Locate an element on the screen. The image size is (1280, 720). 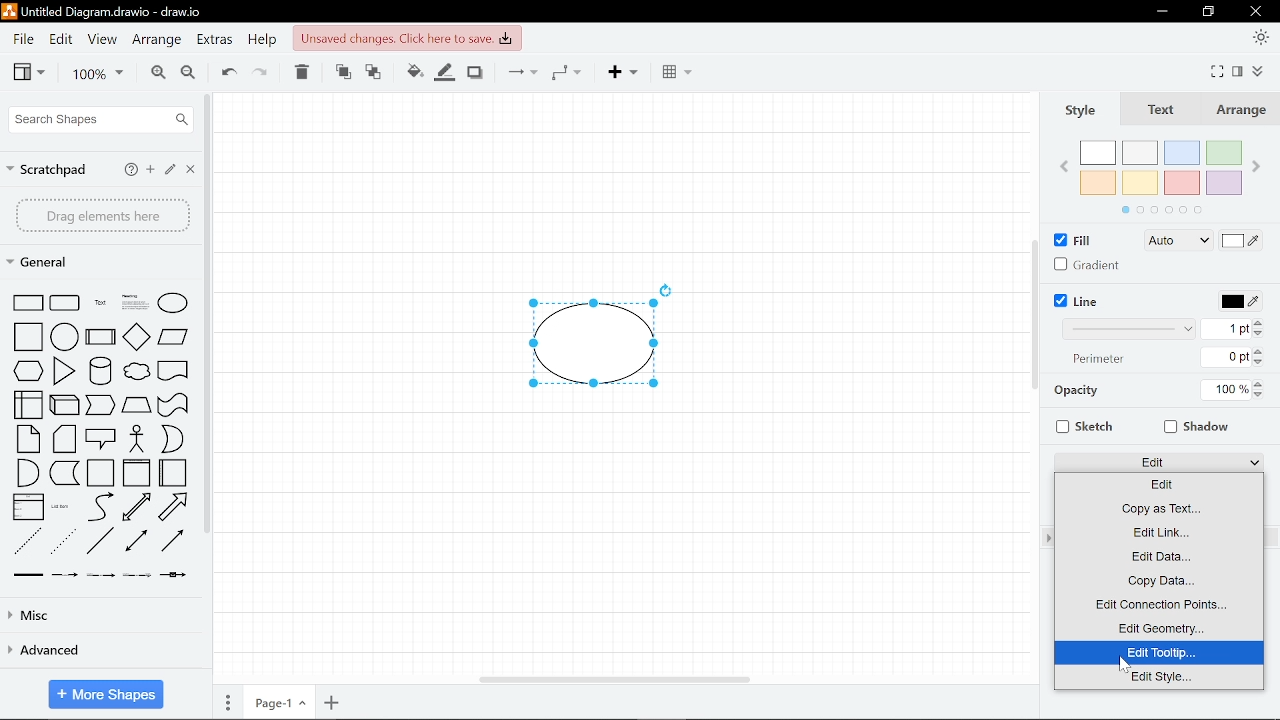
rectangle is located at coordinates (30, 302).